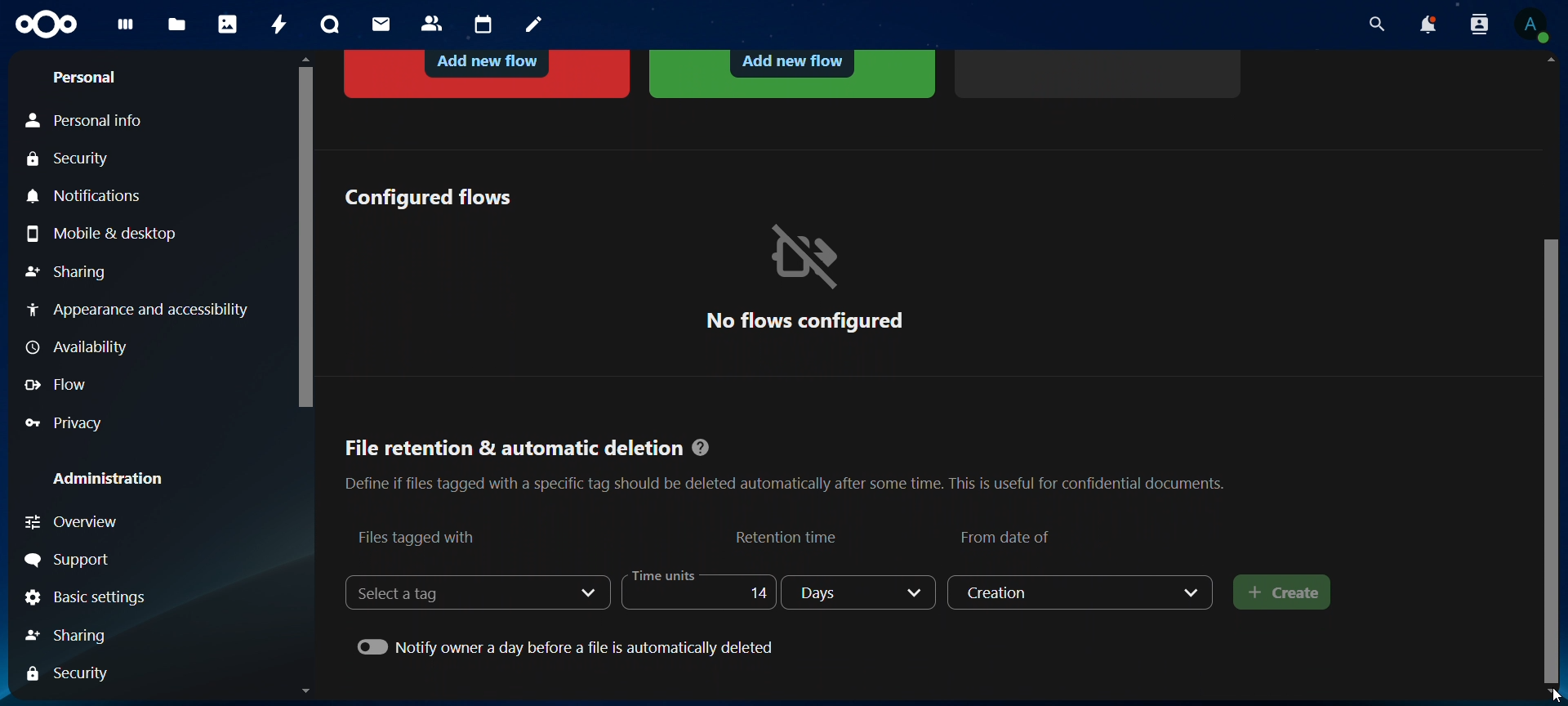 This screenshot has width=1568, height=706. What do you see at coordinates (1009, 535) in the screenshot?
I see `from date of` at bounding box center [1009, 535].